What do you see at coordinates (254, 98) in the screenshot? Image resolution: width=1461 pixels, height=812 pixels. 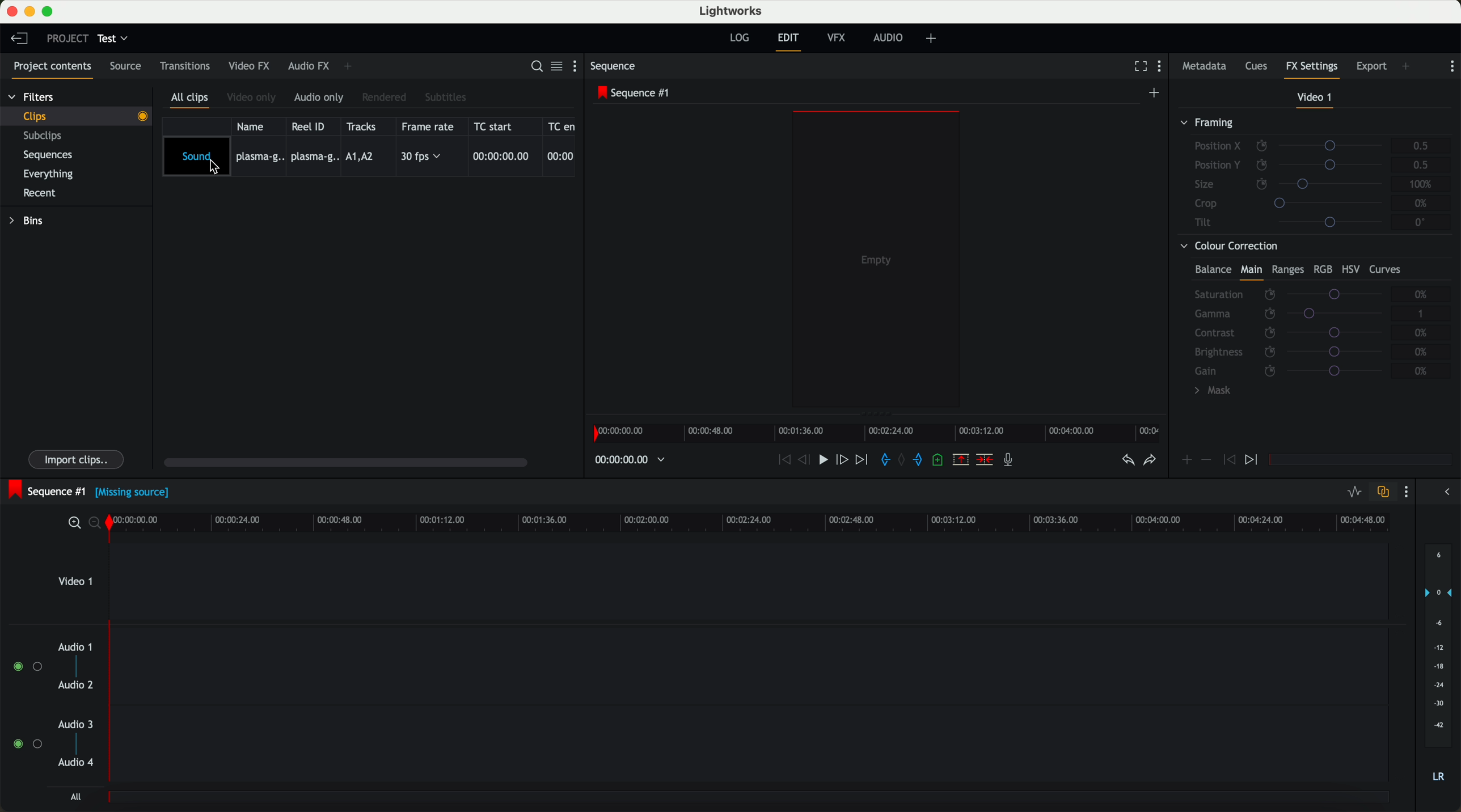 I see `video only` at bounding box center [254, 98].